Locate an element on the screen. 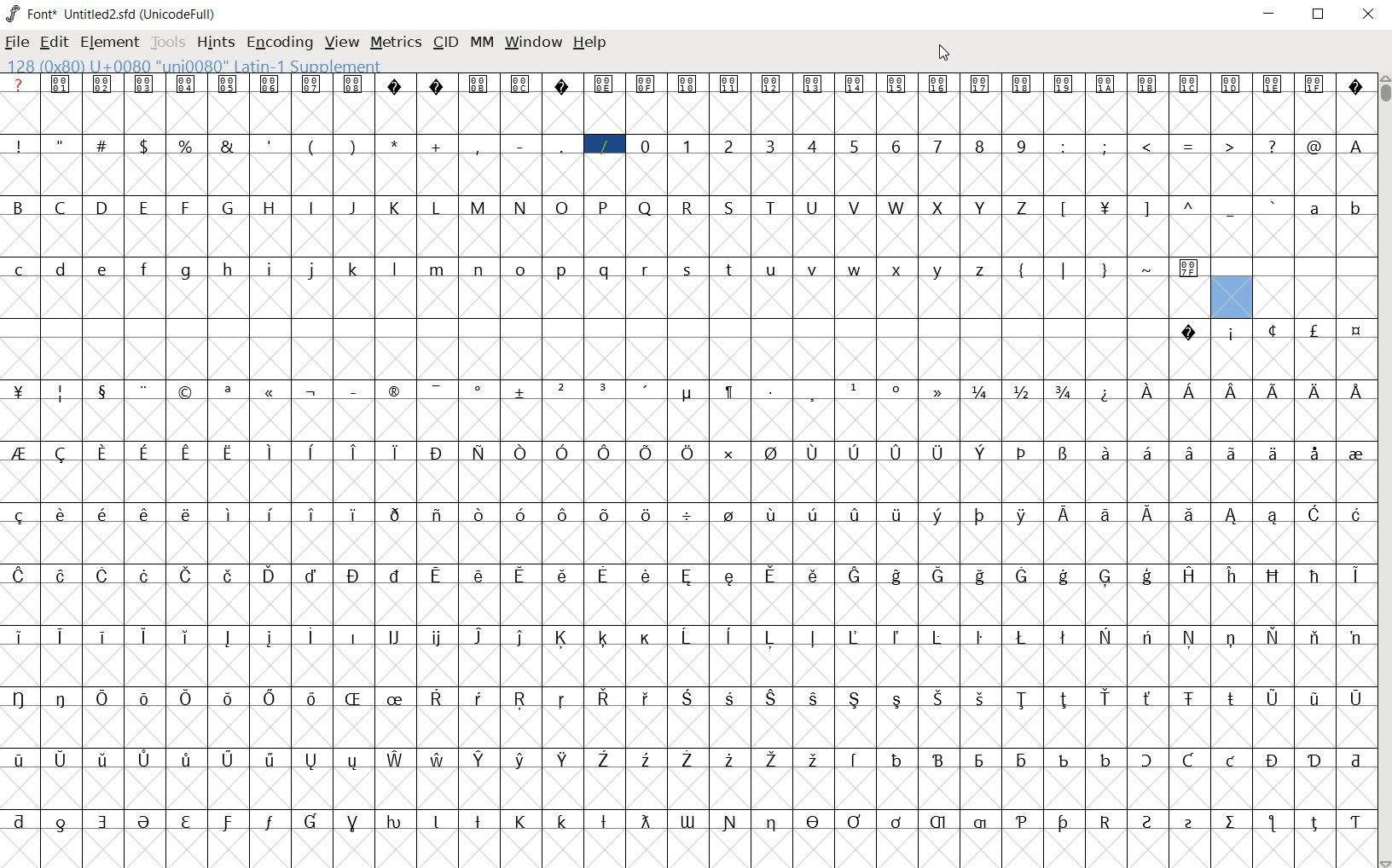 This screenshot has width=1392, height=868. glyph is located at coordinates (1357, 391).